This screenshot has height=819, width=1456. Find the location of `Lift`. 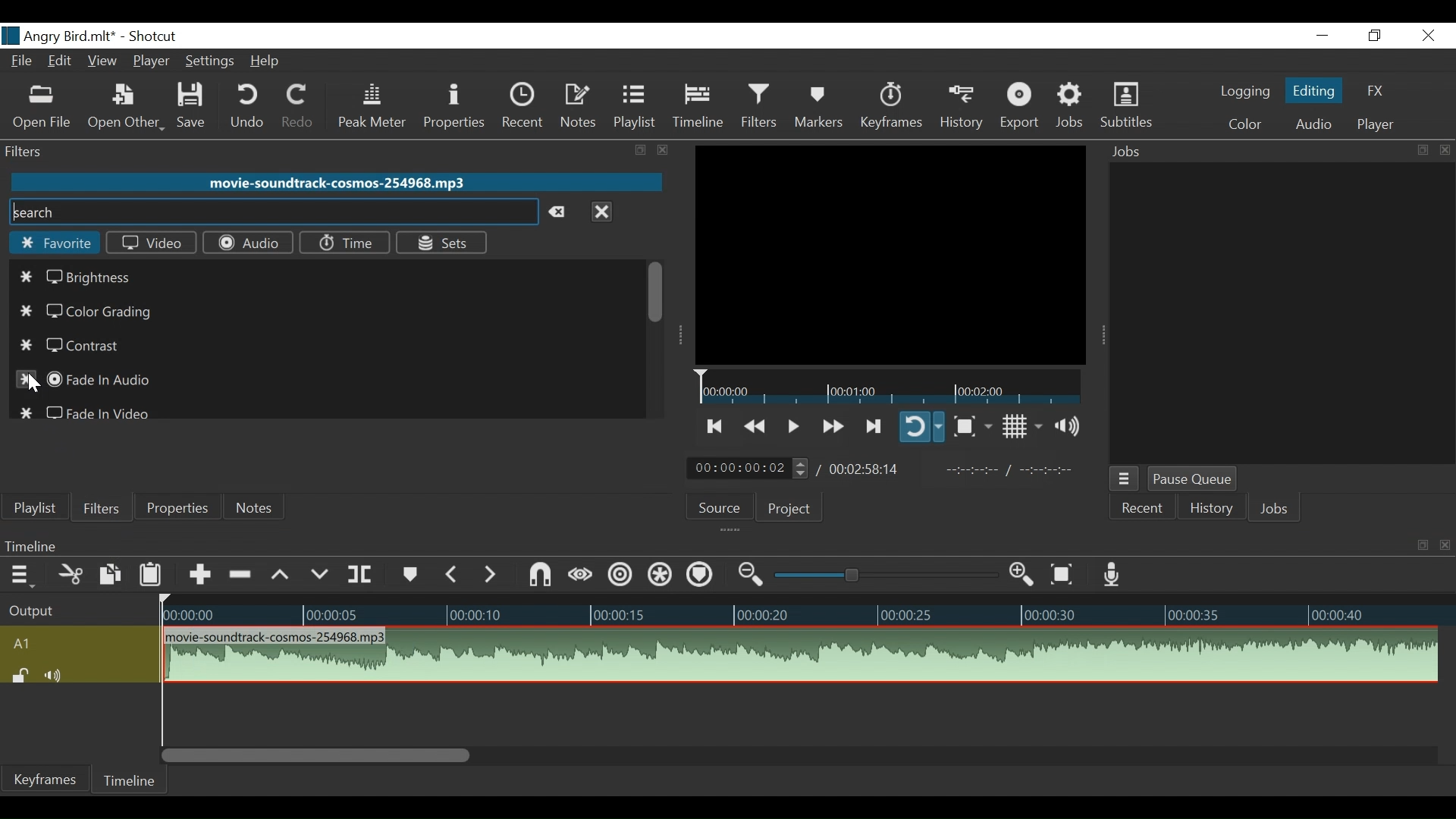

Lift is located at coordinates (281, 575).